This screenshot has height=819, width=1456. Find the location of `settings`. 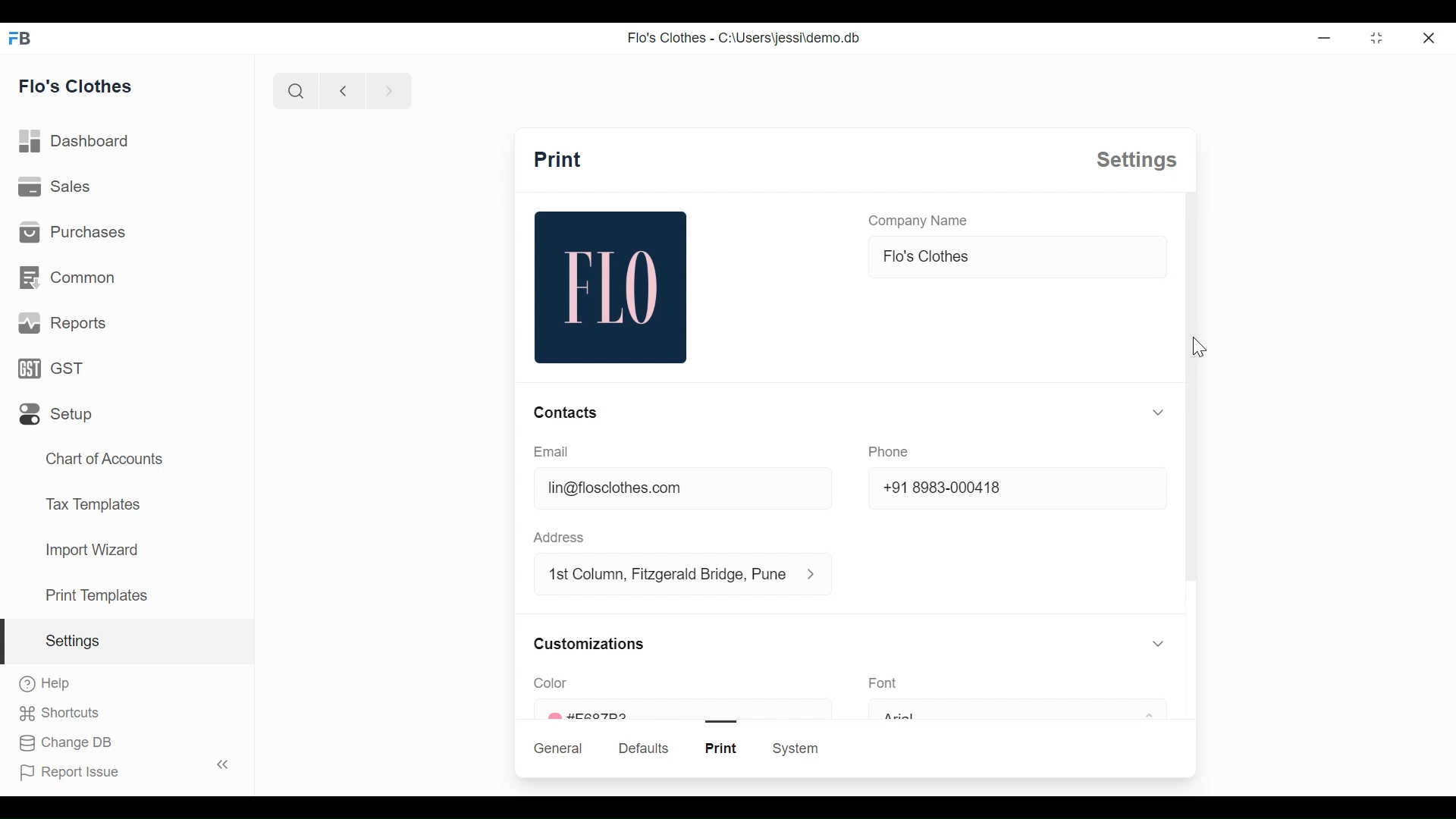

settings is located at coordinates (1137, 160).